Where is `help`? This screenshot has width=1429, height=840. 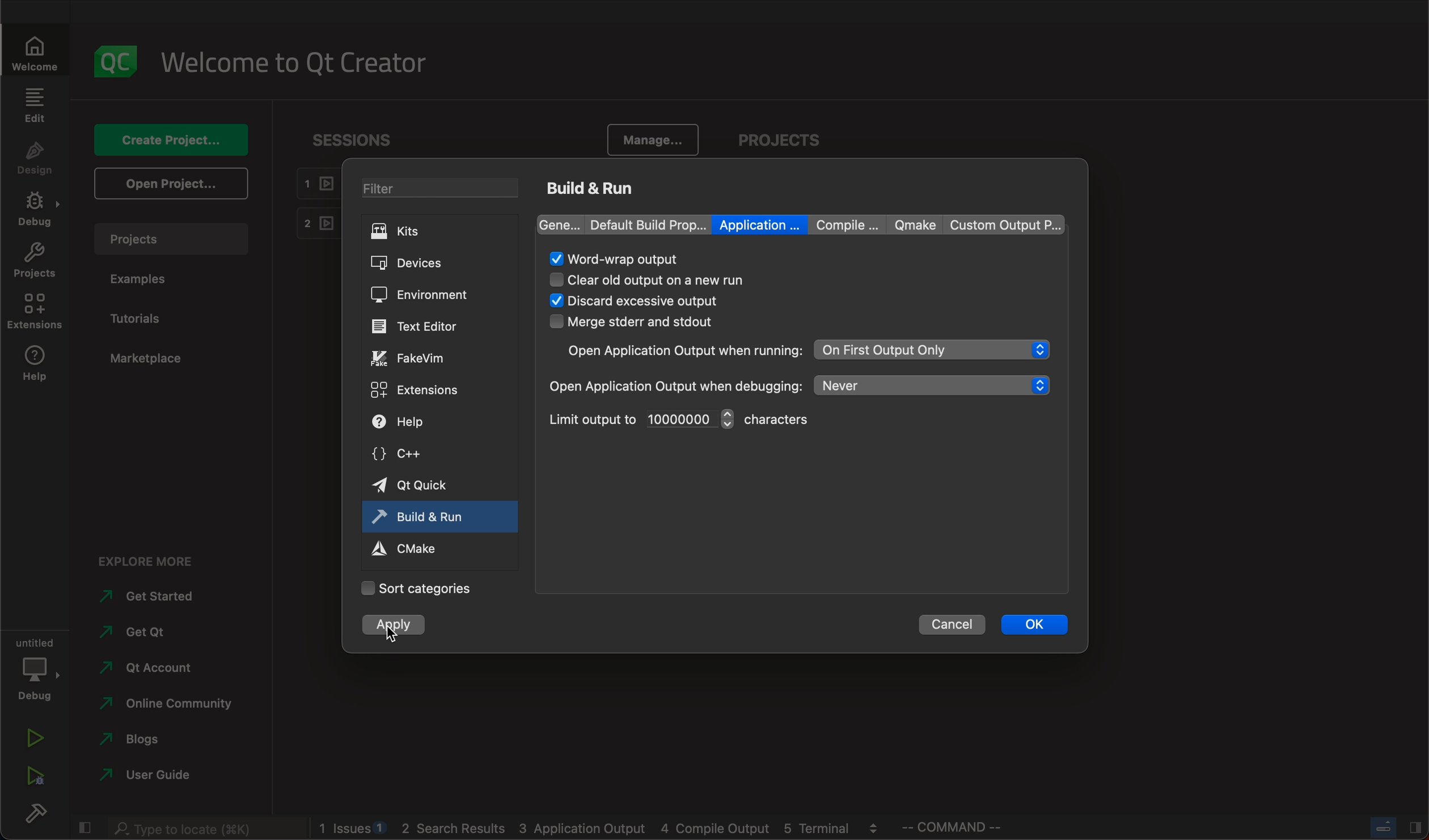 help is located at coordinates (30, 366).